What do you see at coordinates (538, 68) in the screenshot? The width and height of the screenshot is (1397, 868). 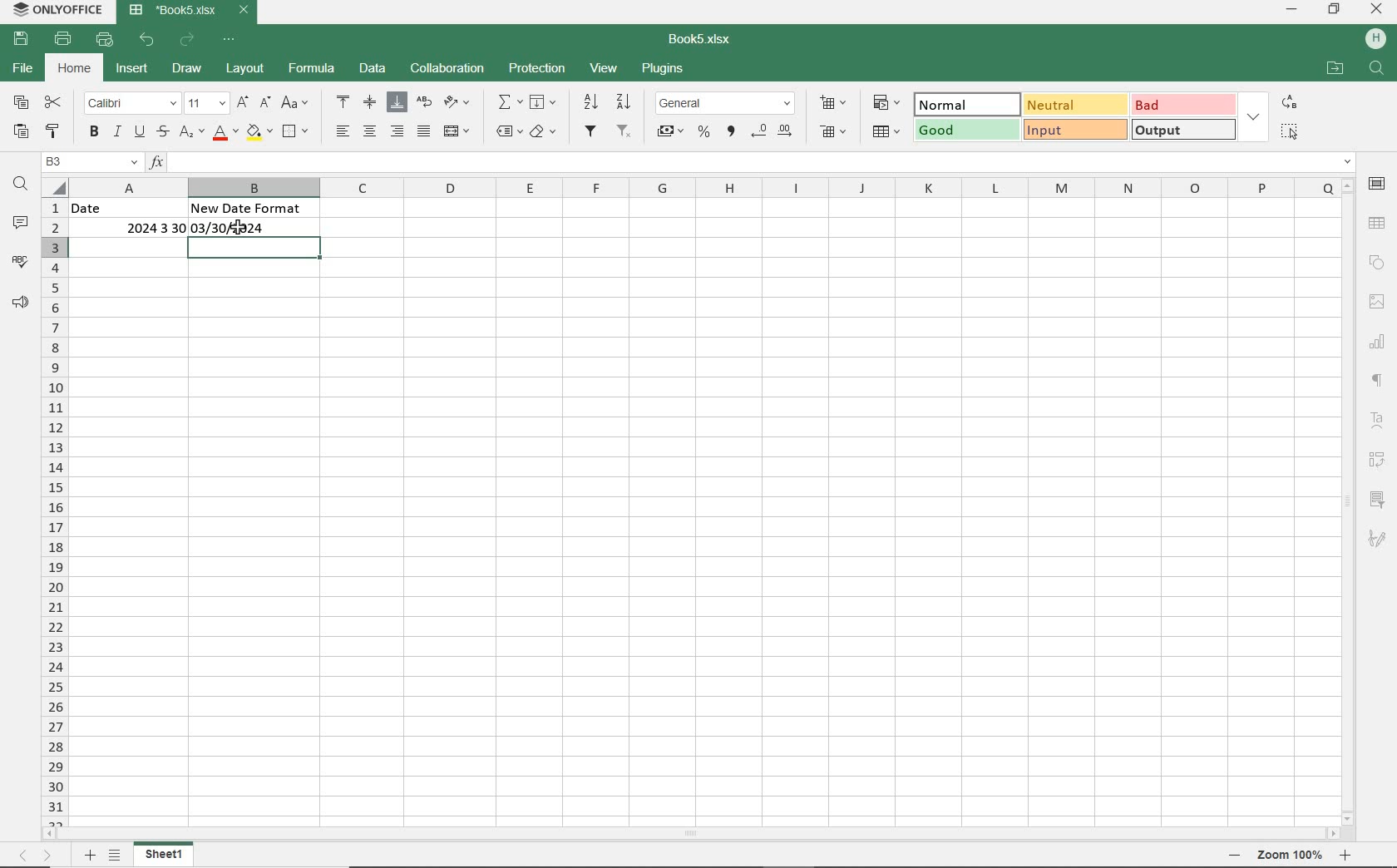 I see `PROTECTION` at bounding box center [538, 68].